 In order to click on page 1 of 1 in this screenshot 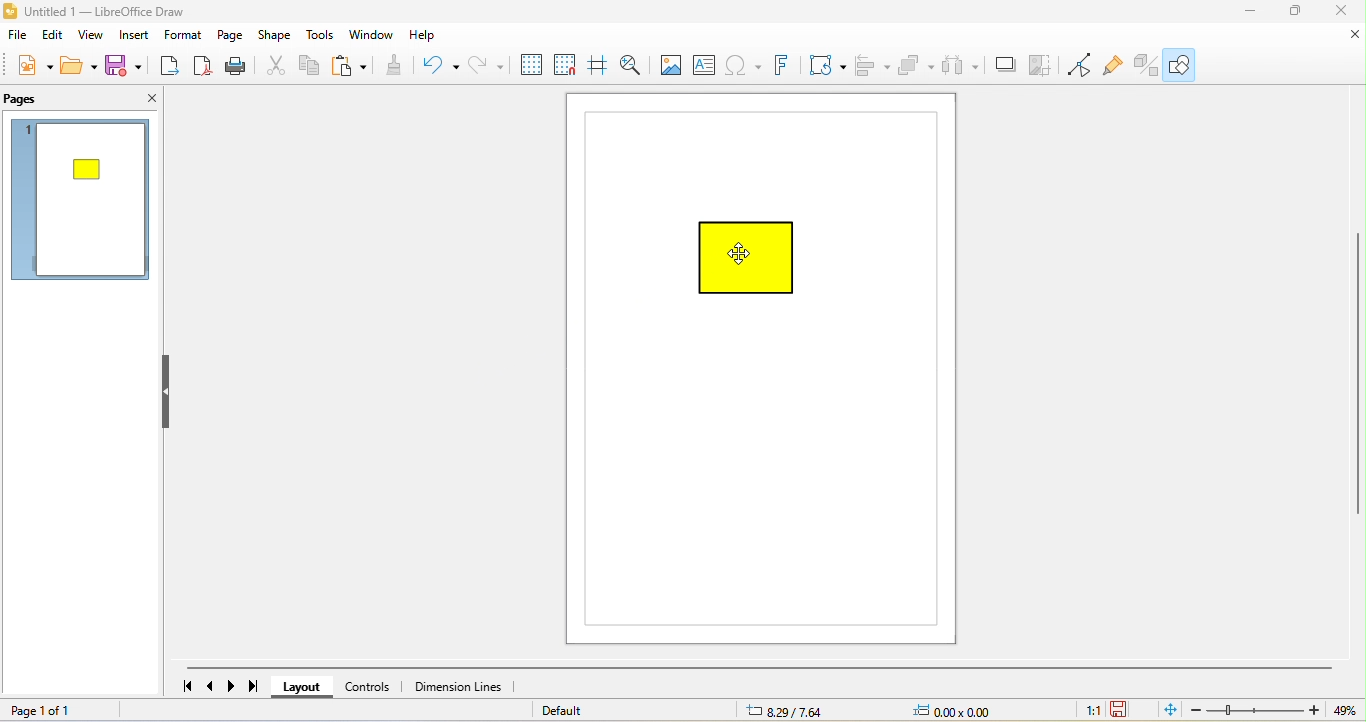, I will do `click(61, 711)`.